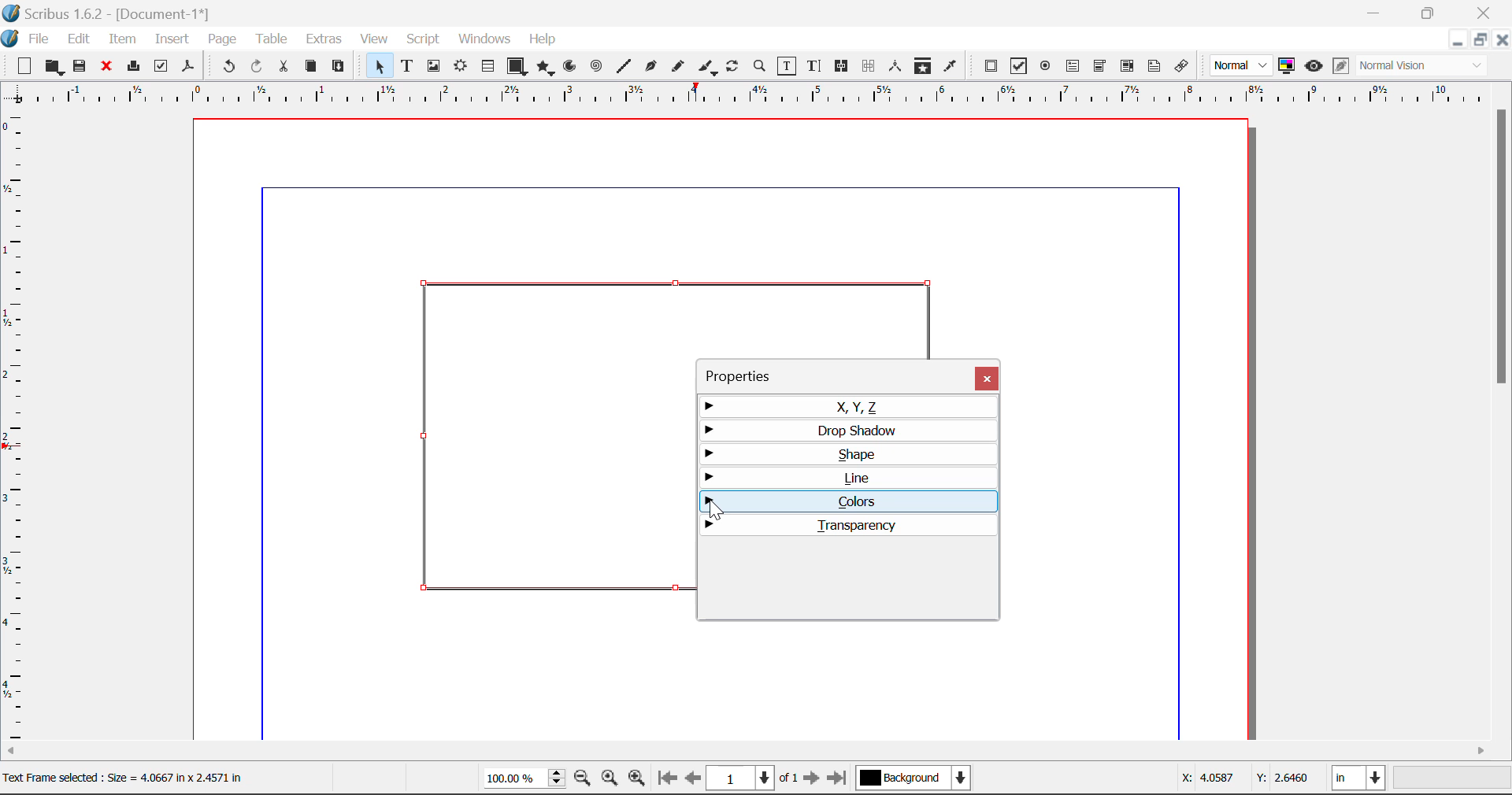  Describe the element at coordinates (1073, 65) in the screenshot. I see `Pdf Text Field` at that location.